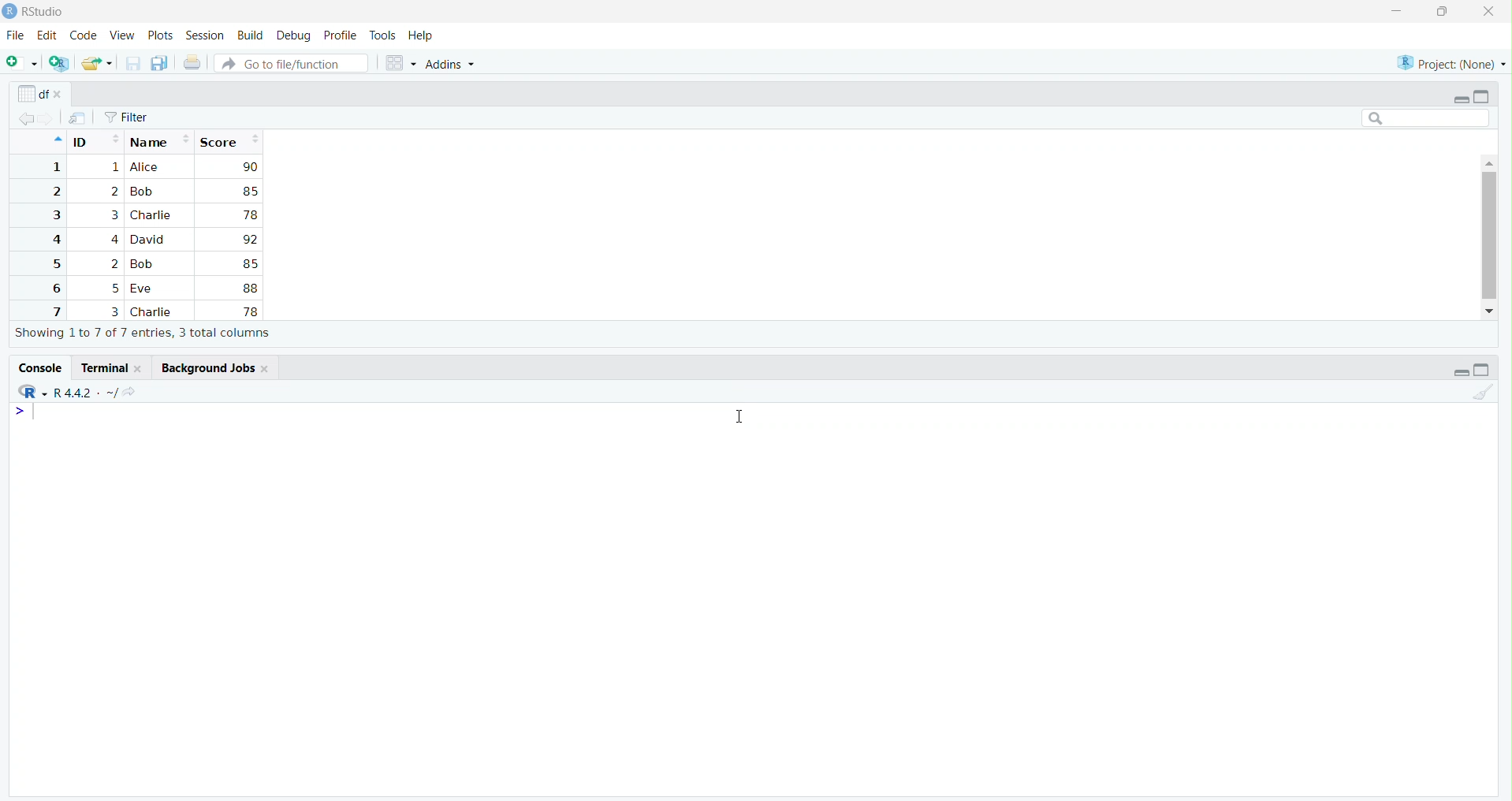 The height and width of the screenshot is (801, 1512). What do you see at coordinates (116, 289) in the screenshot?
I see `5` at bounding box center [116, 289].